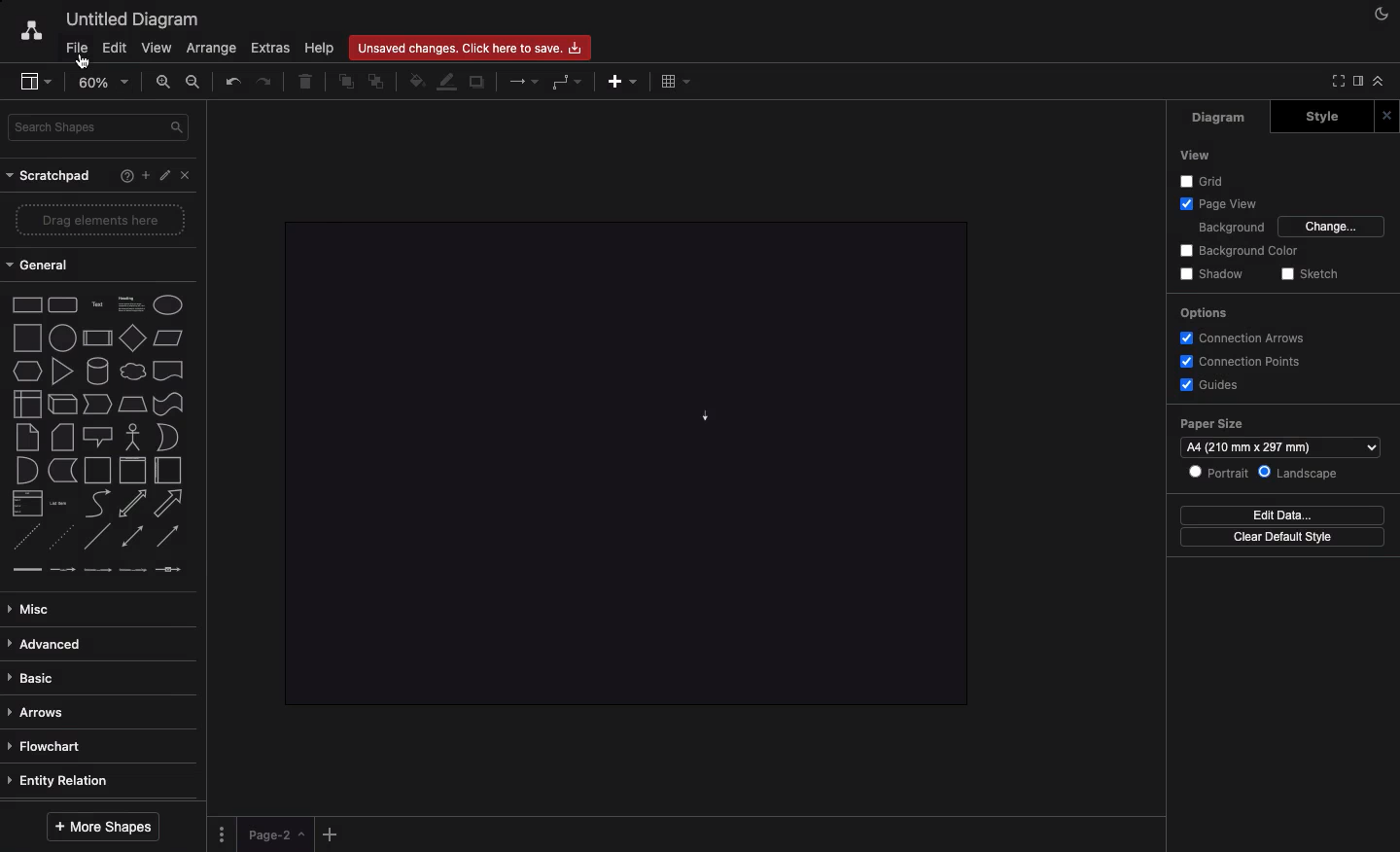 The height and width of the screenshot is (852, 1400). I want to click on Edit, so click(163, 175).